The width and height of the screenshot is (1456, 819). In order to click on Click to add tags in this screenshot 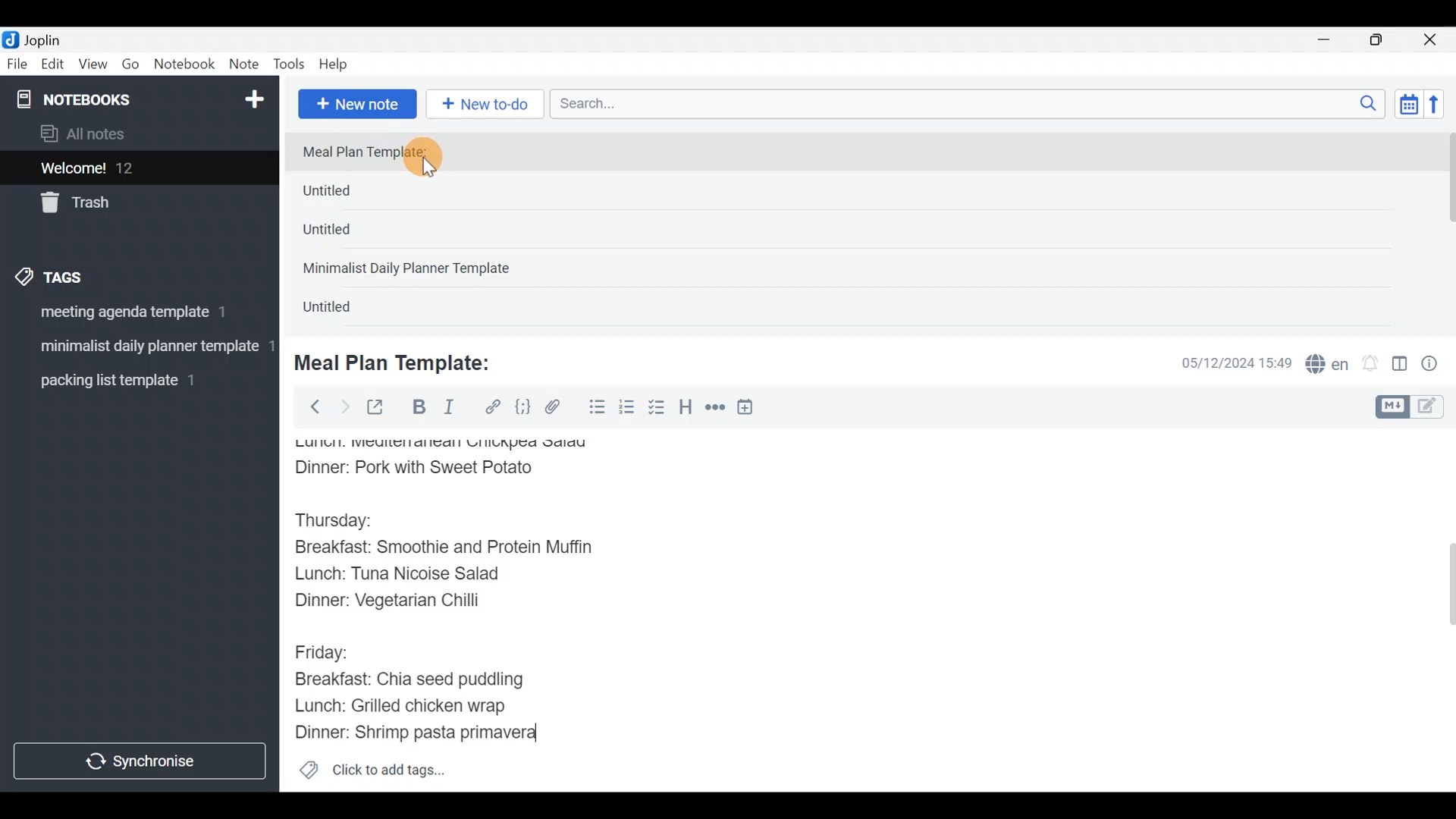, I will do `click(372, 775)`.